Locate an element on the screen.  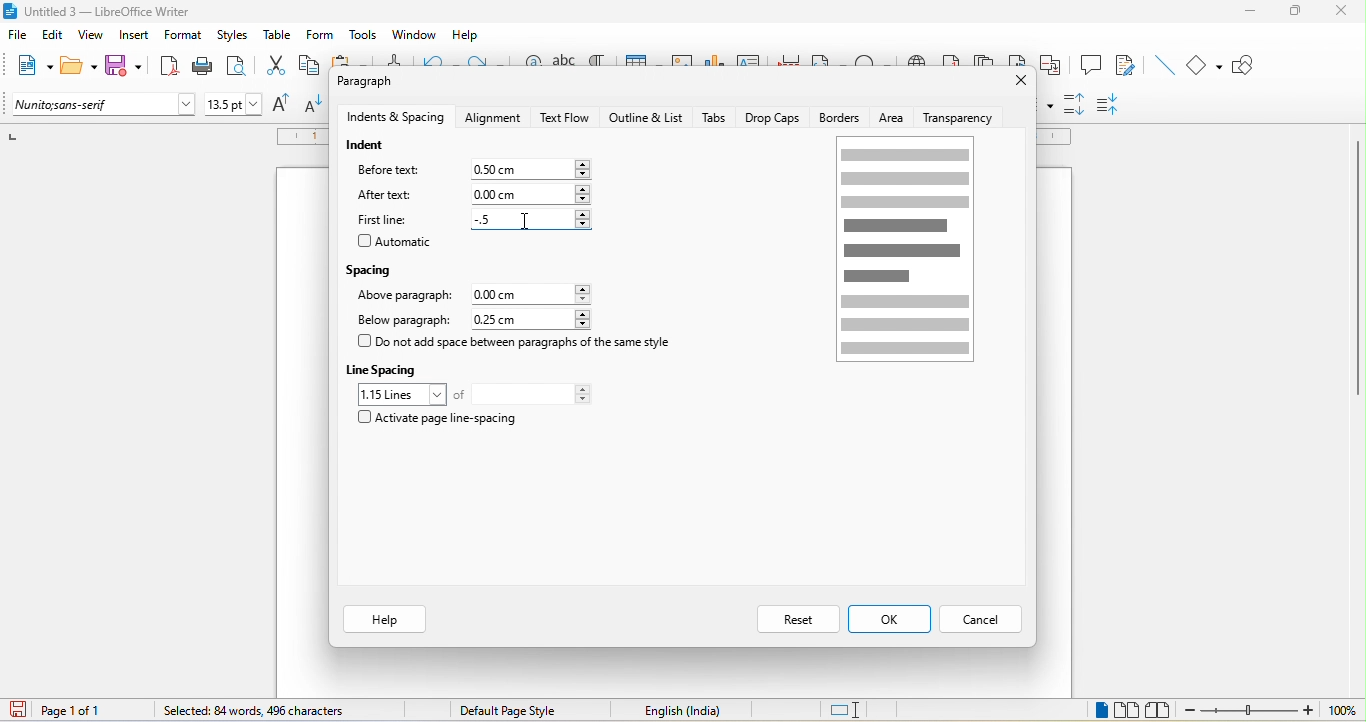
multiple page view is located at coordinates (1127, 711).